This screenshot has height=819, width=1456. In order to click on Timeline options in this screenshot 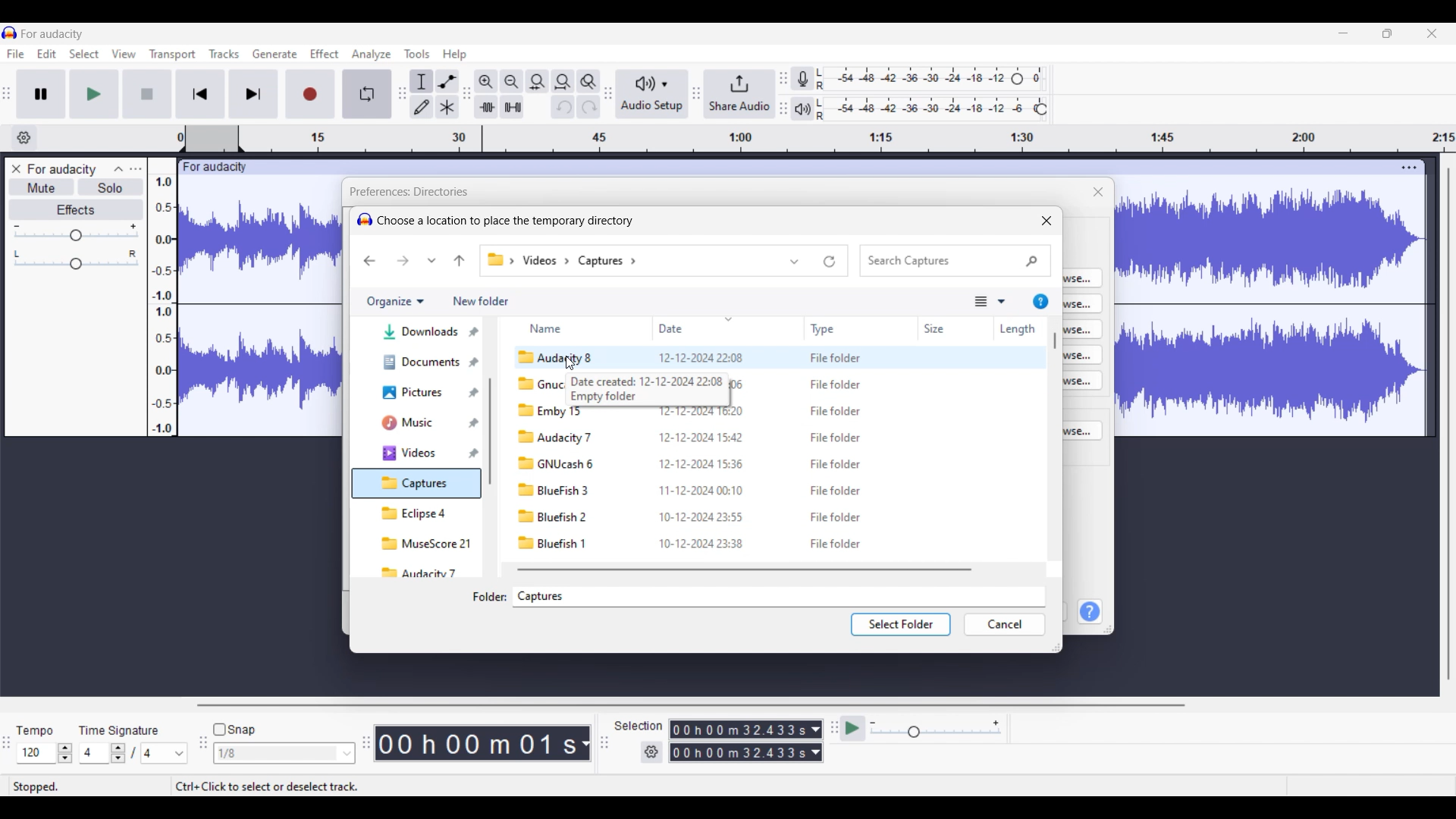, I will do `click(24, 138)`.